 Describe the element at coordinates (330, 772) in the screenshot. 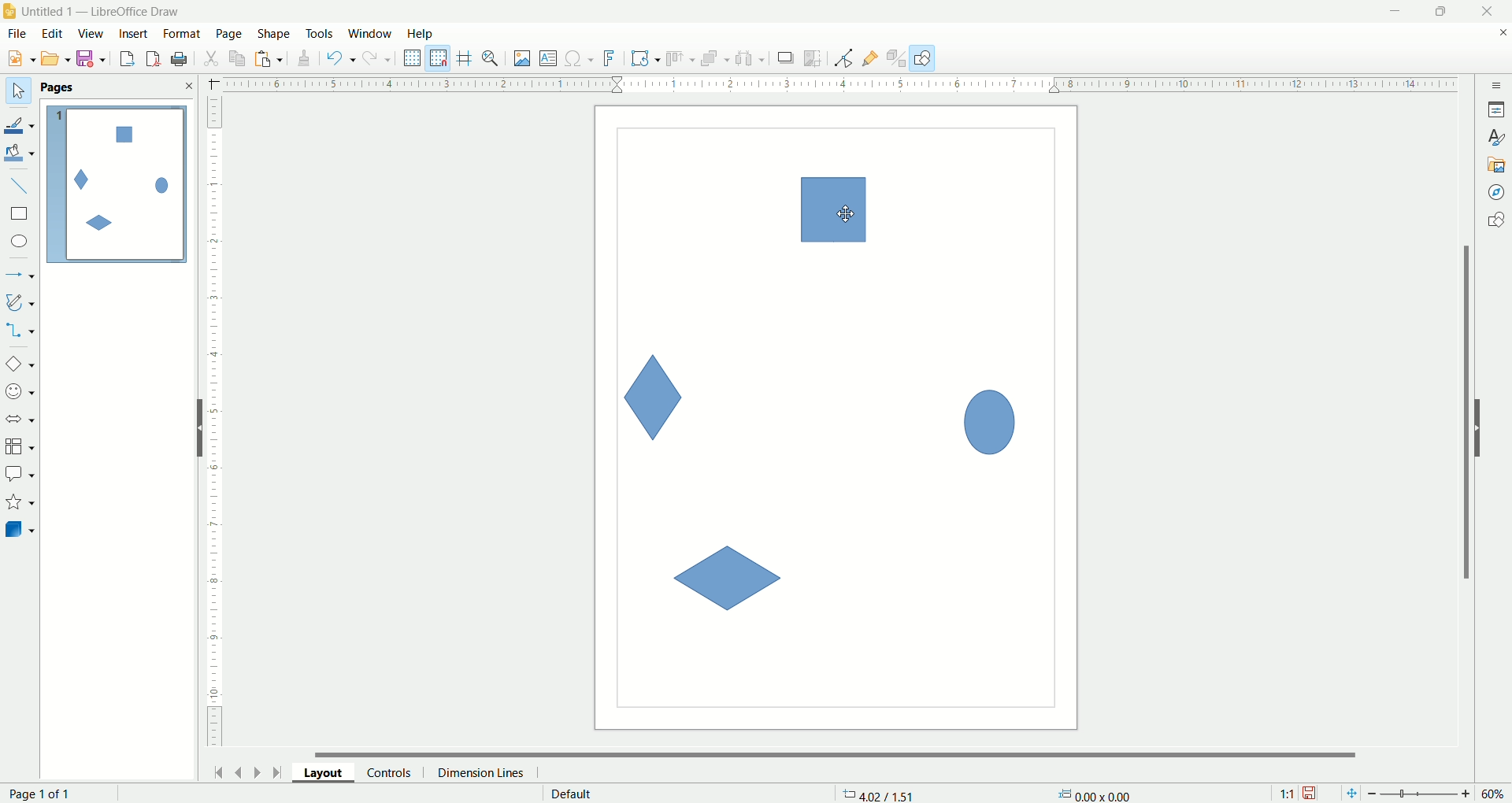

I see `layout` at that location.